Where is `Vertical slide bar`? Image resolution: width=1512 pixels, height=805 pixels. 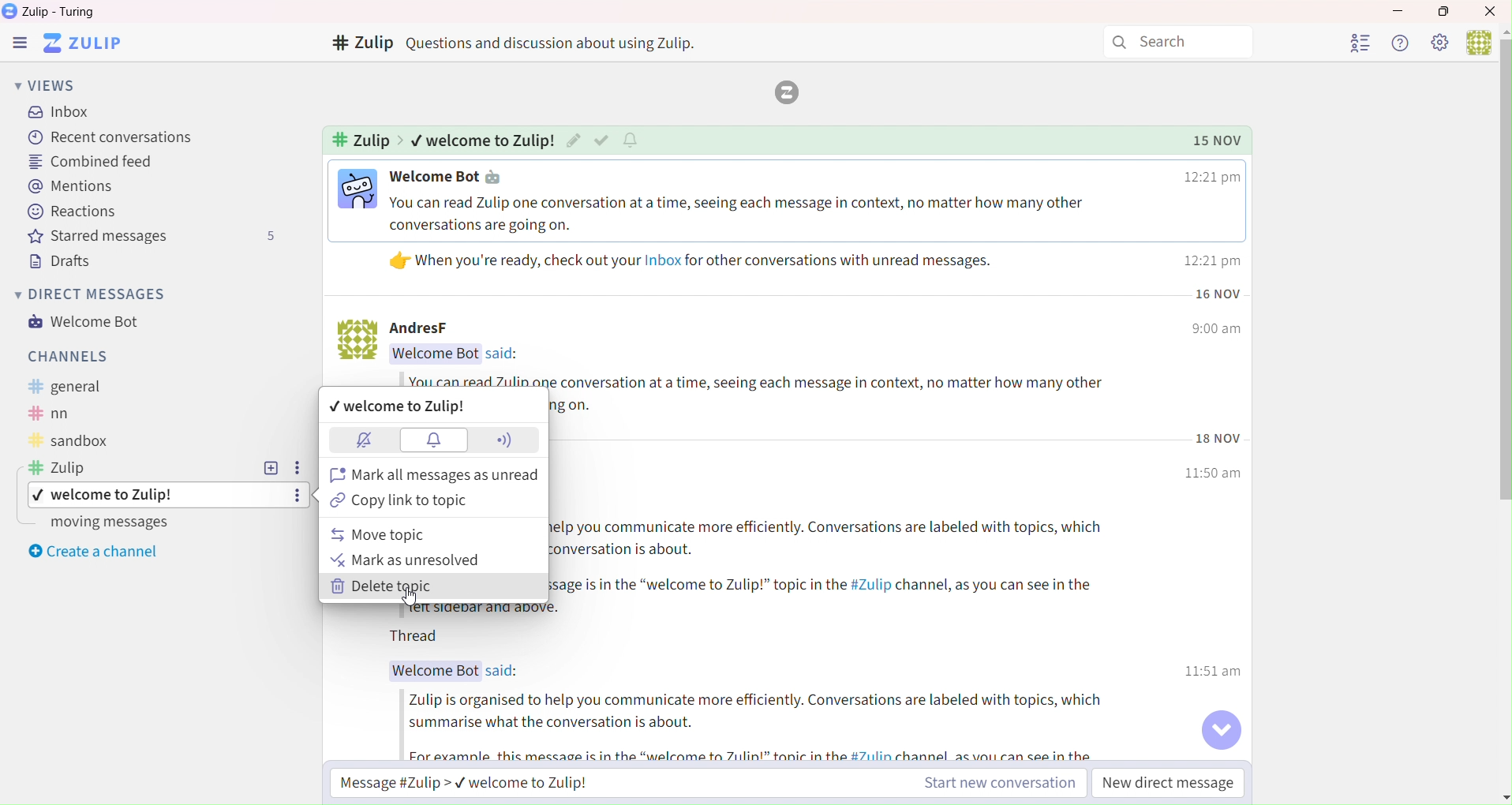 Vertical slide bar is located at coordinates (1503, 414).